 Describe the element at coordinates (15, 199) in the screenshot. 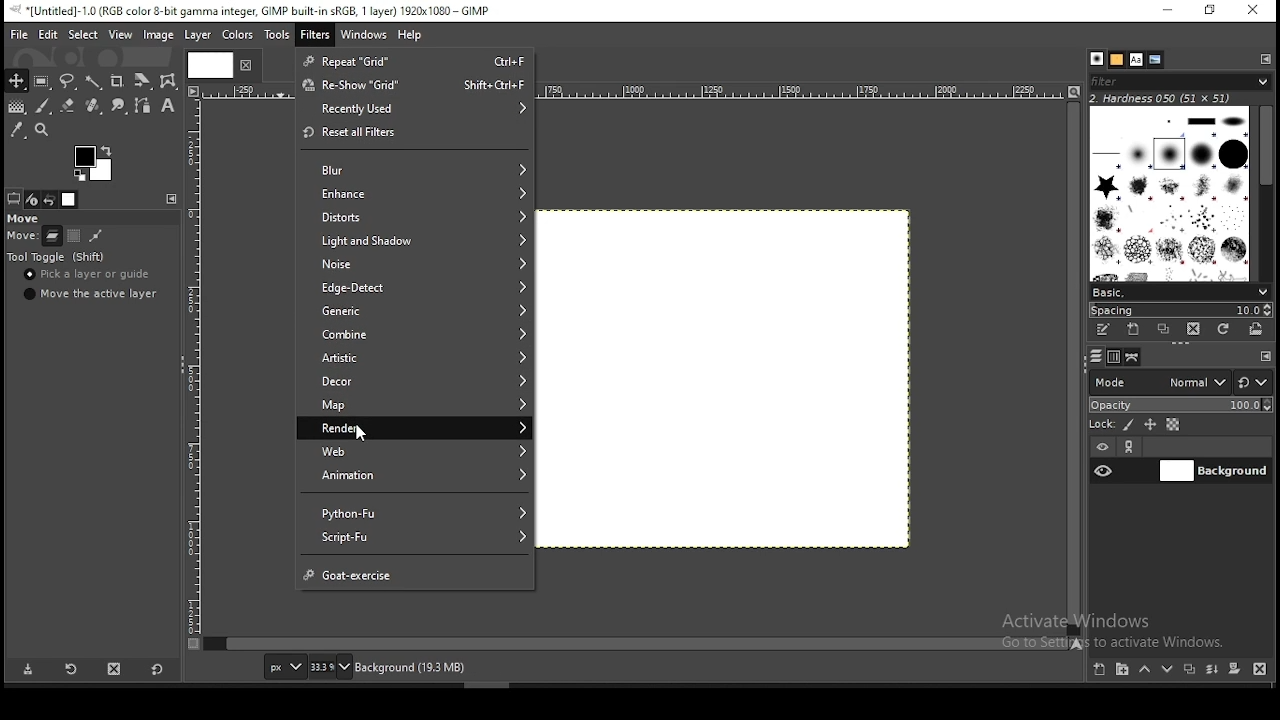

I see `tool options` at that location.